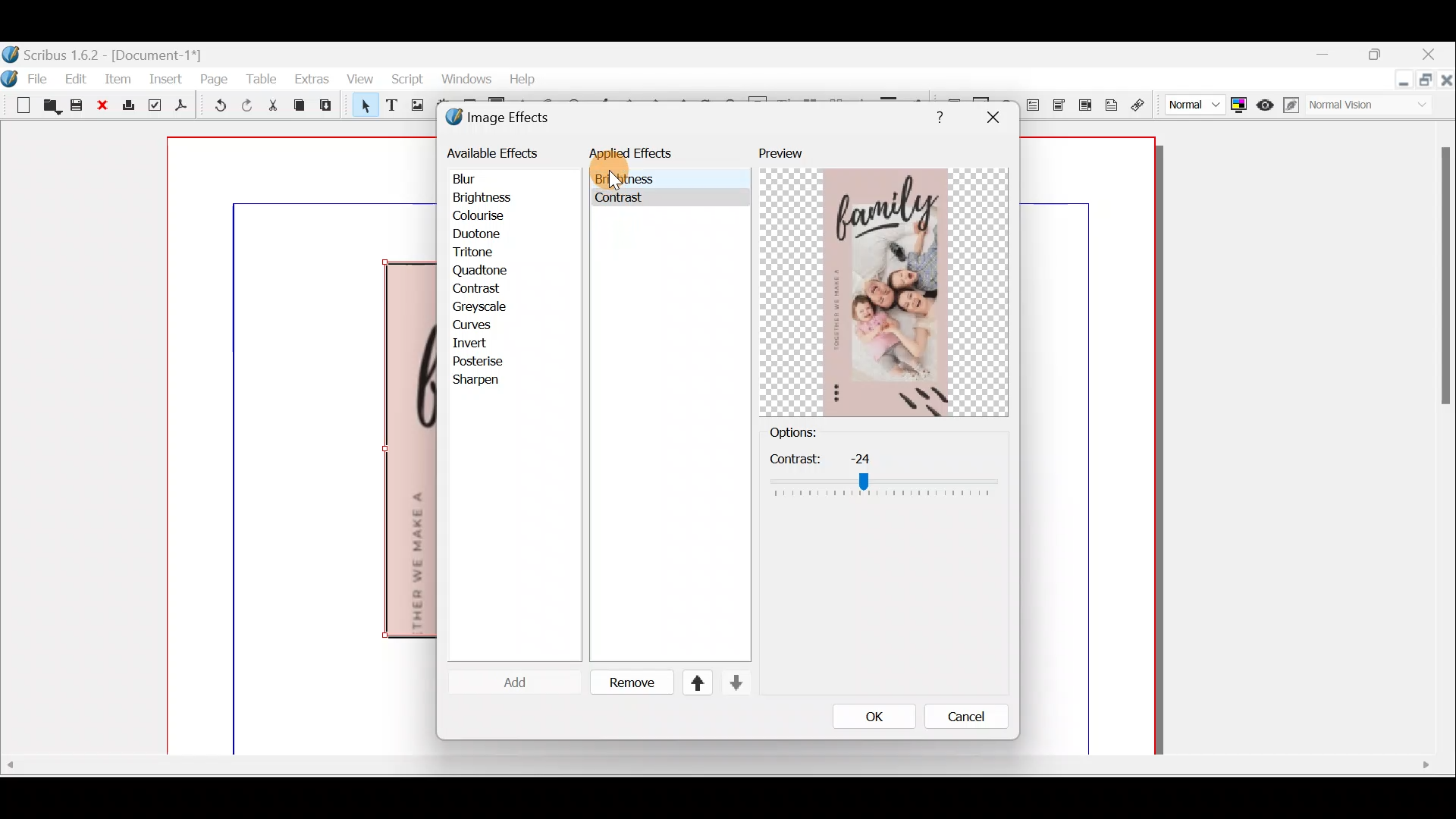 The width and height of the screenshot is (1456, 819). What do you see at coordinates (467, 81) in the screenshot?
I see `Windows` at bounding box center [467, 81].